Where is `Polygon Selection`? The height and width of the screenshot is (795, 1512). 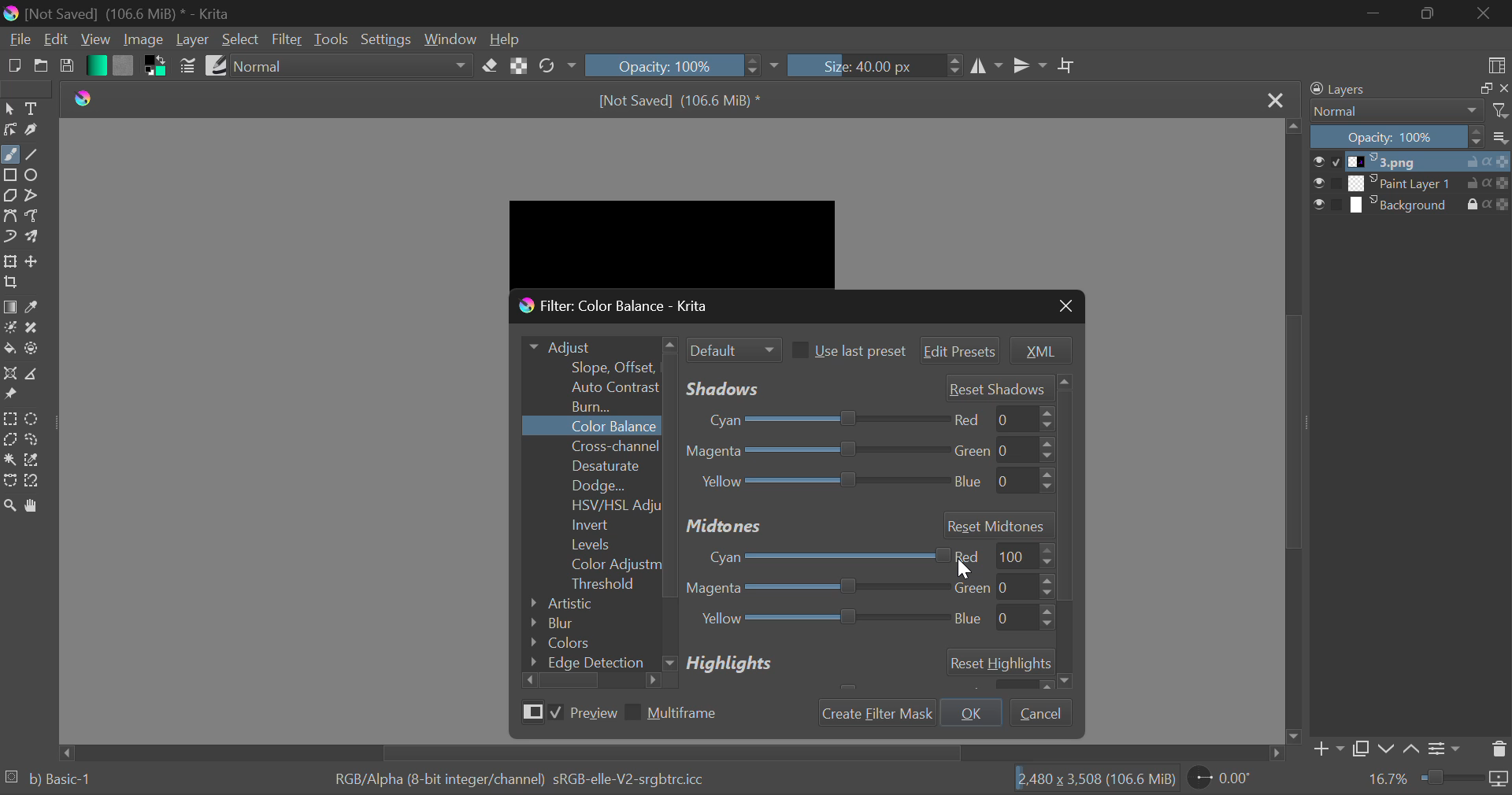
Polygon Selection is located at coordinates (10, 441).